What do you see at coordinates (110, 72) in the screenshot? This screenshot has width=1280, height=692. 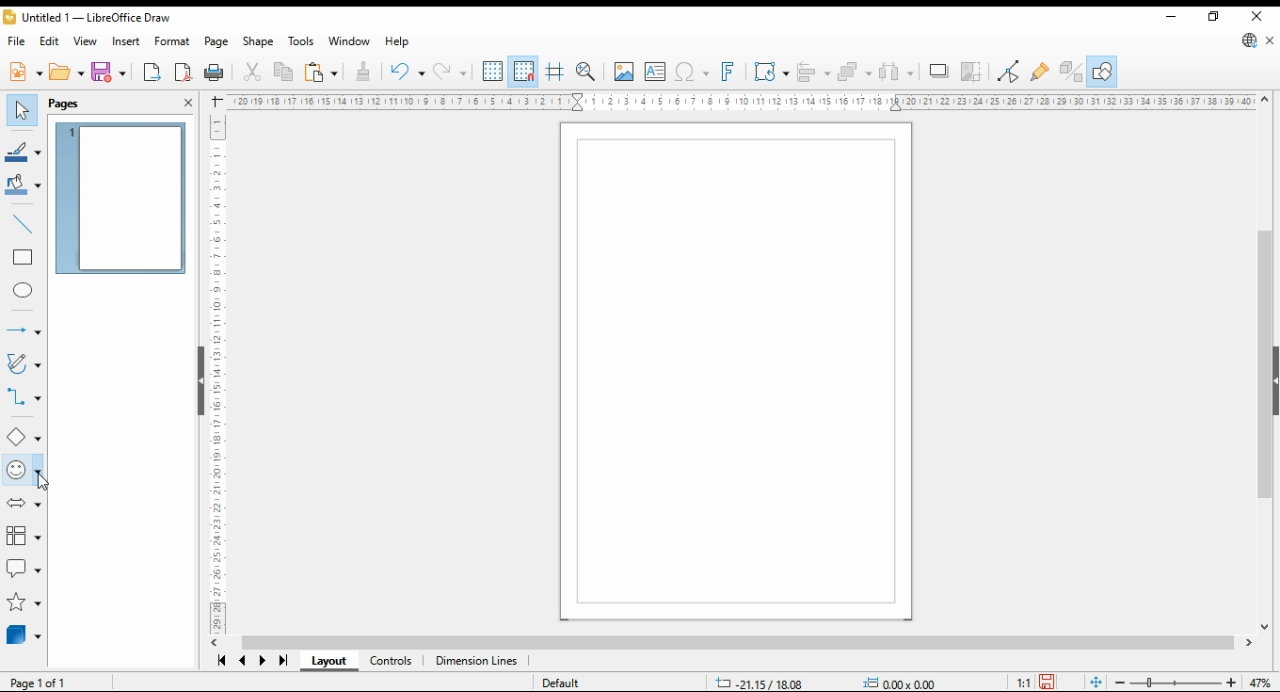 I see `save` at bounding box center [110, 72].